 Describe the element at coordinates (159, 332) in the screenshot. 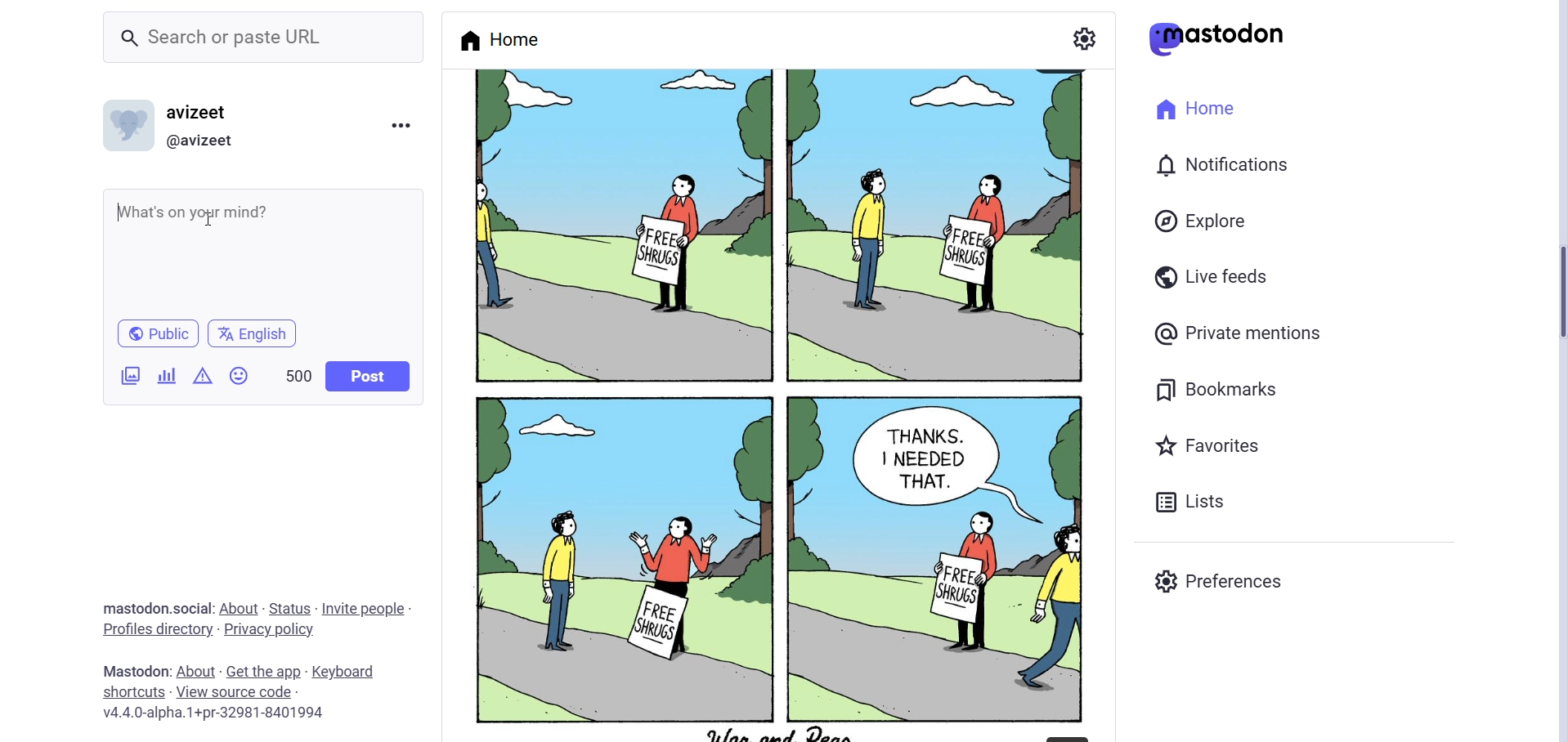

I see `Public` at that location.